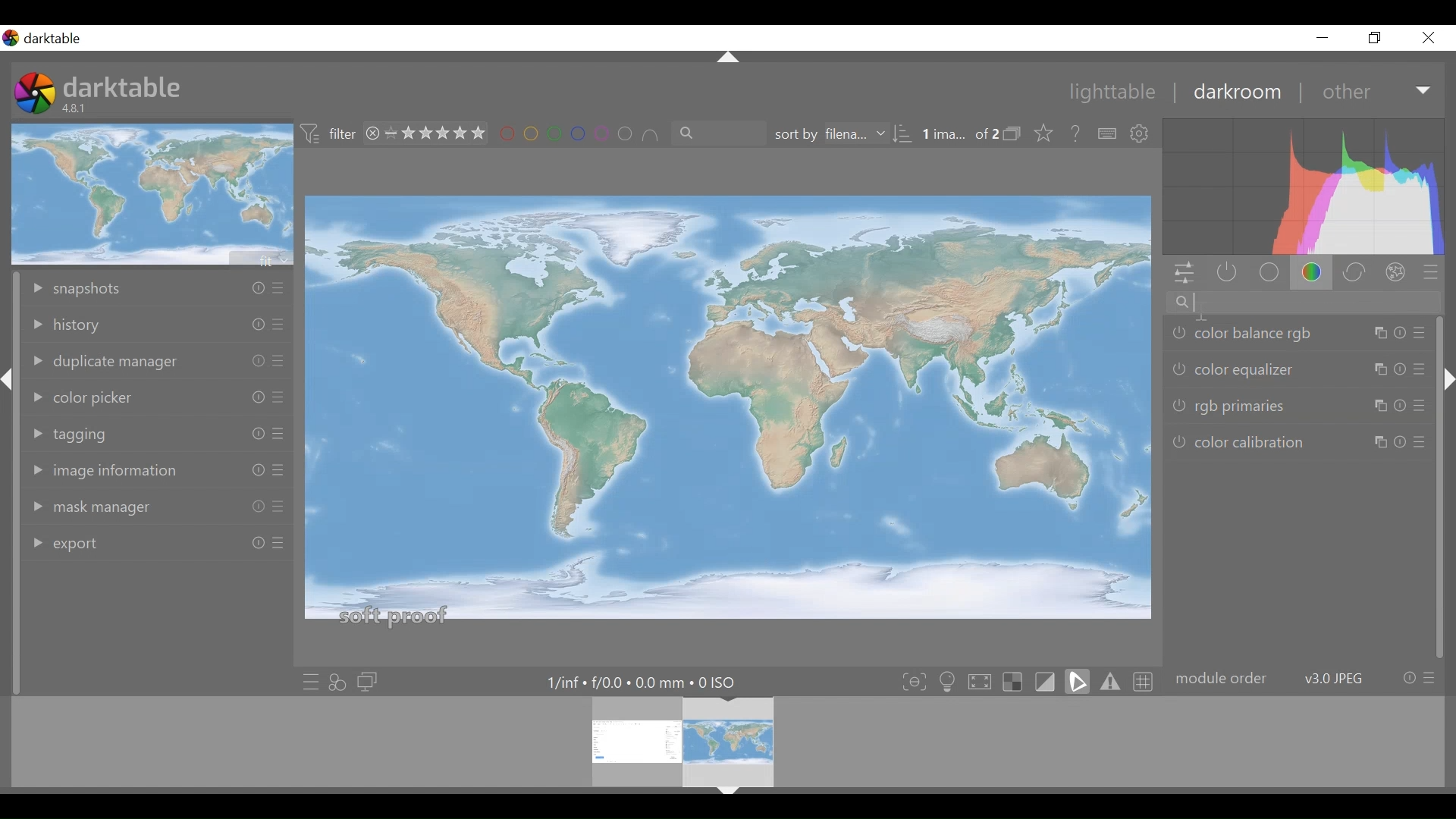 The height and width of the screenshot is (819, 1456). I want to click on histogram, so click(1304, 189).